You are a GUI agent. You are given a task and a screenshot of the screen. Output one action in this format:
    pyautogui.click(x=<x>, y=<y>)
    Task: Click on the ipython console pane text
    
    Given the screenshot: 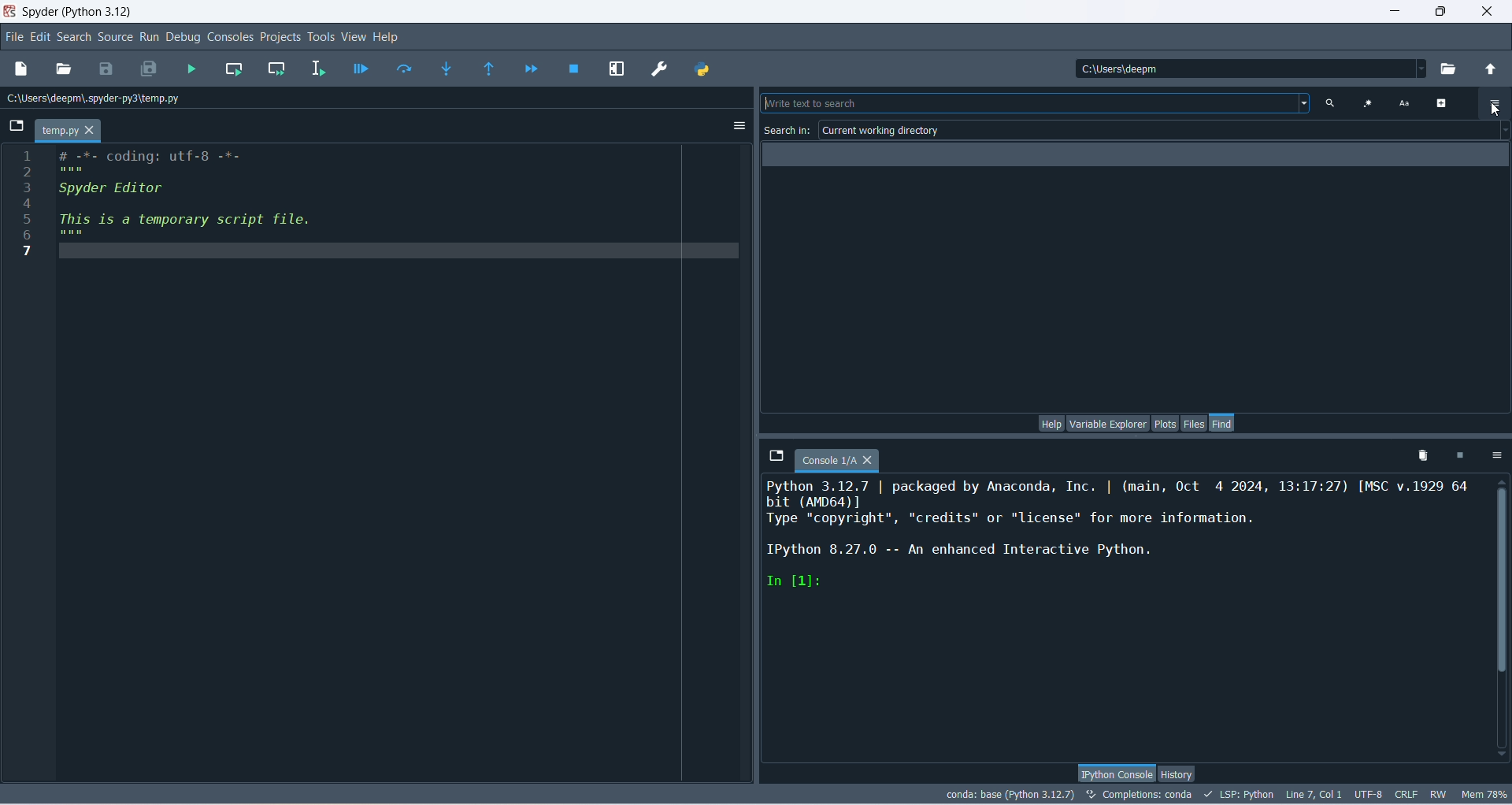 What is the action you would take?
    pyautogui.click(x=1121, y=538)
    